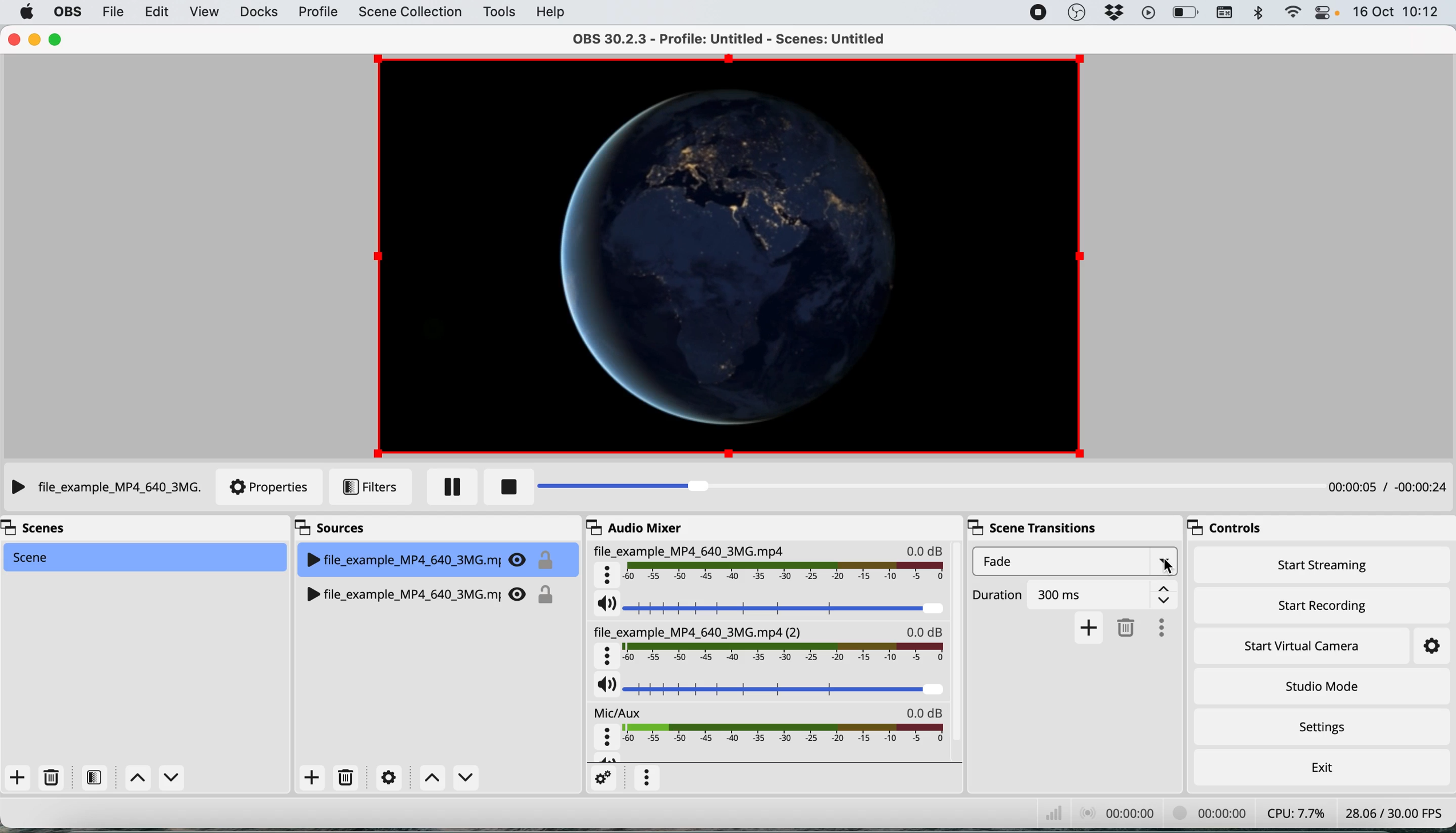 The image size is (1456, 833). I want to click on source audio volume, so click(769, 683).